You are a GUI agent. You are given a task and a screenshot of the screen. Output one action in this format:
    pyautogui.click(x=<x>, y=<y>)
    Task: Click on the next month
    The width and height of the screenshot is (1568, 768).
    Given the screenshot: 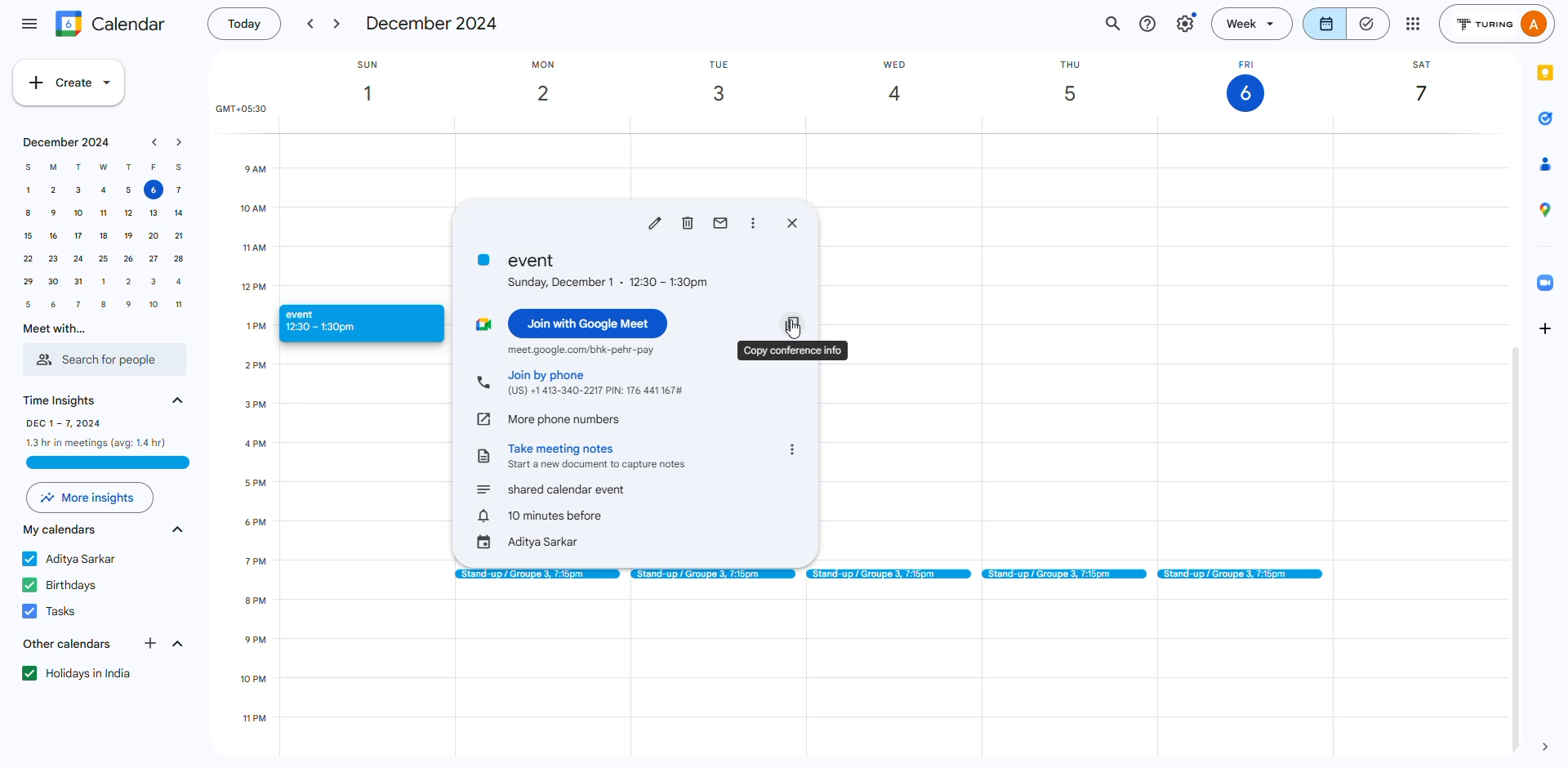 What is the action you would take?
    pyautogui.click(x=180, y=142)
    